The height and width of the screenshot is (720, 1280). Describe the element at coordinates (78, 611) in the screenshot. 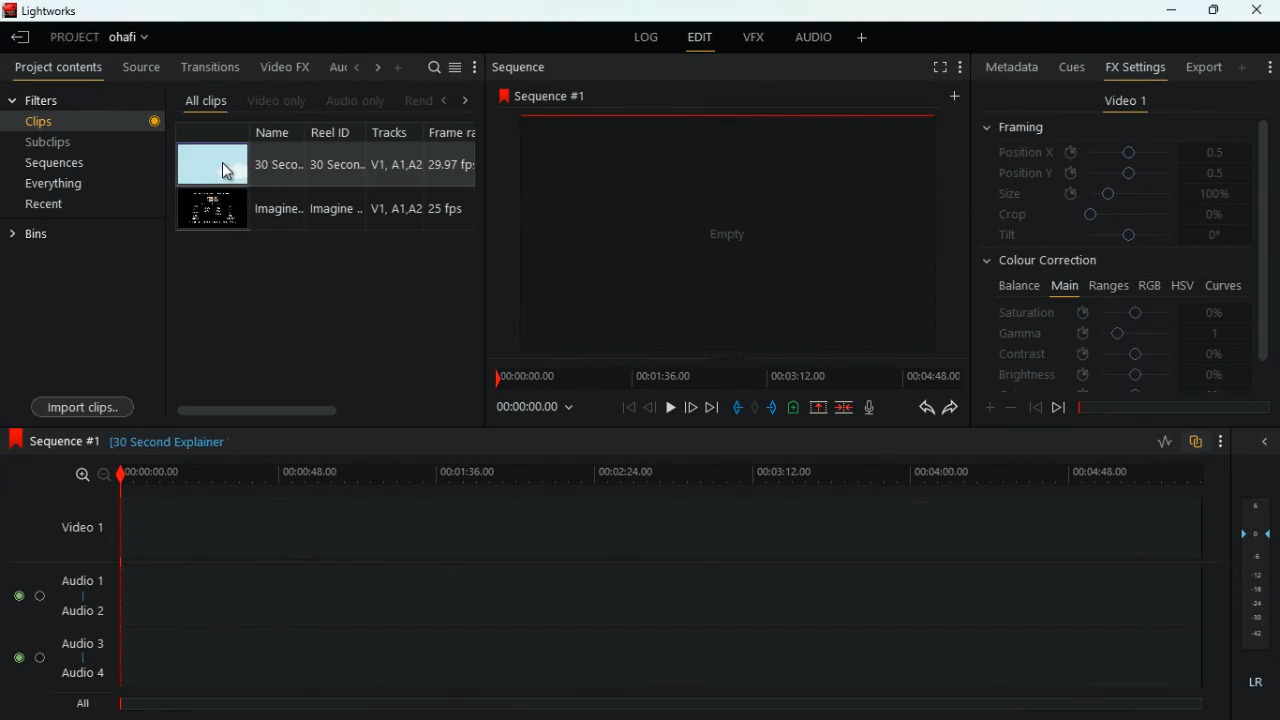

I see `audio 2` at that location.